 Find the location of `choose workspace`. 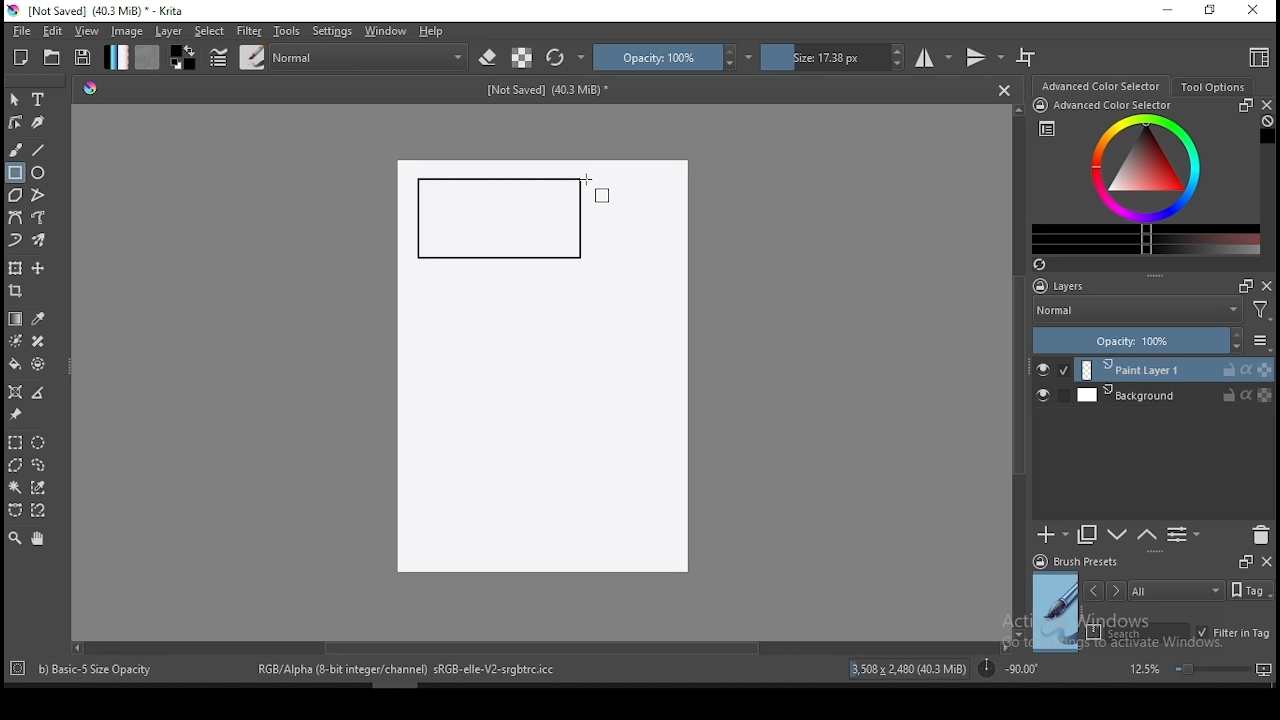

choose workspace is located at coordinates (1257, 57).